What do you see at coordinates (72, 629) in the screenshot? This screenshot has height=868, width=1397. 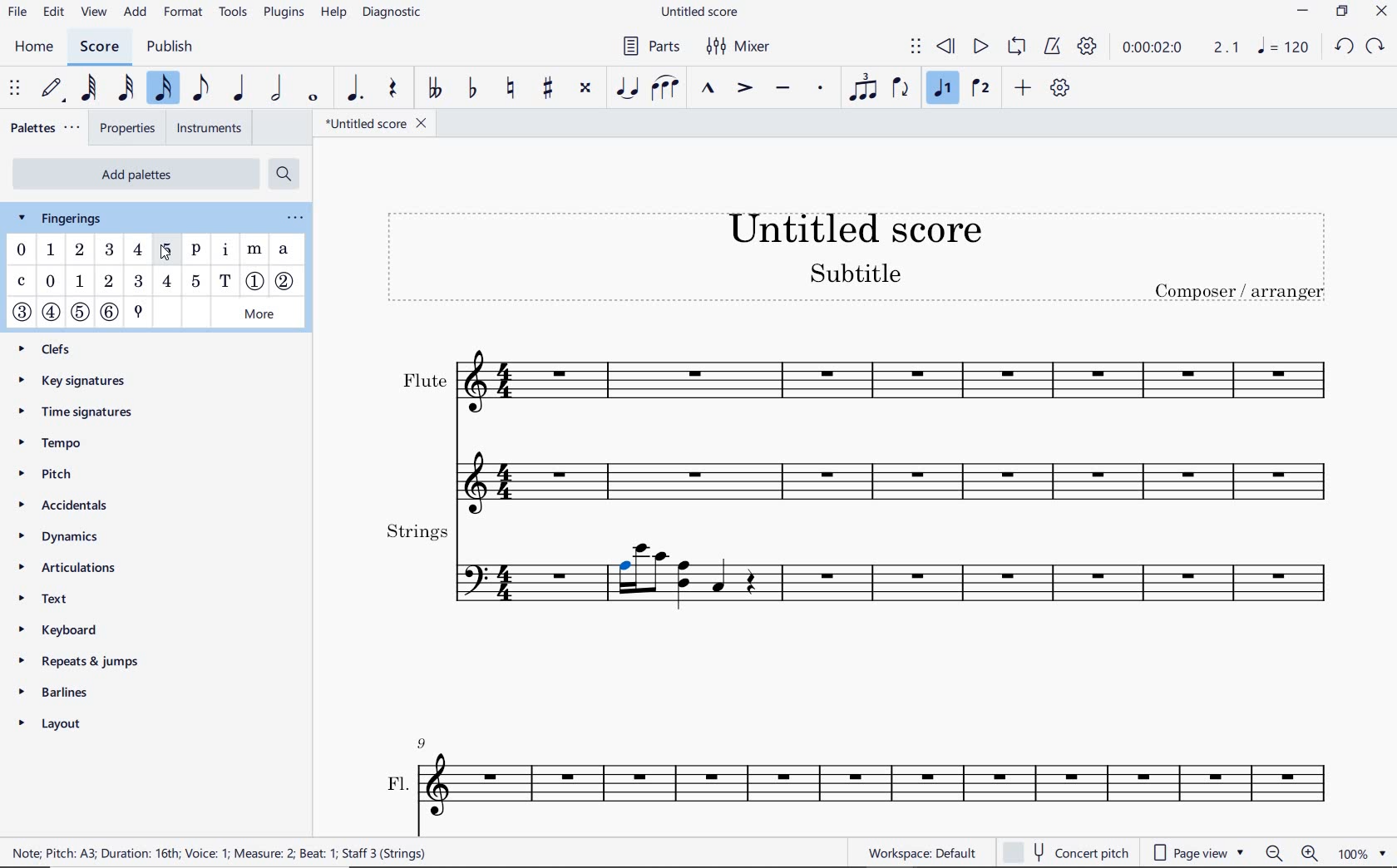 I see `keyboard` at bounding box center [72, 629].